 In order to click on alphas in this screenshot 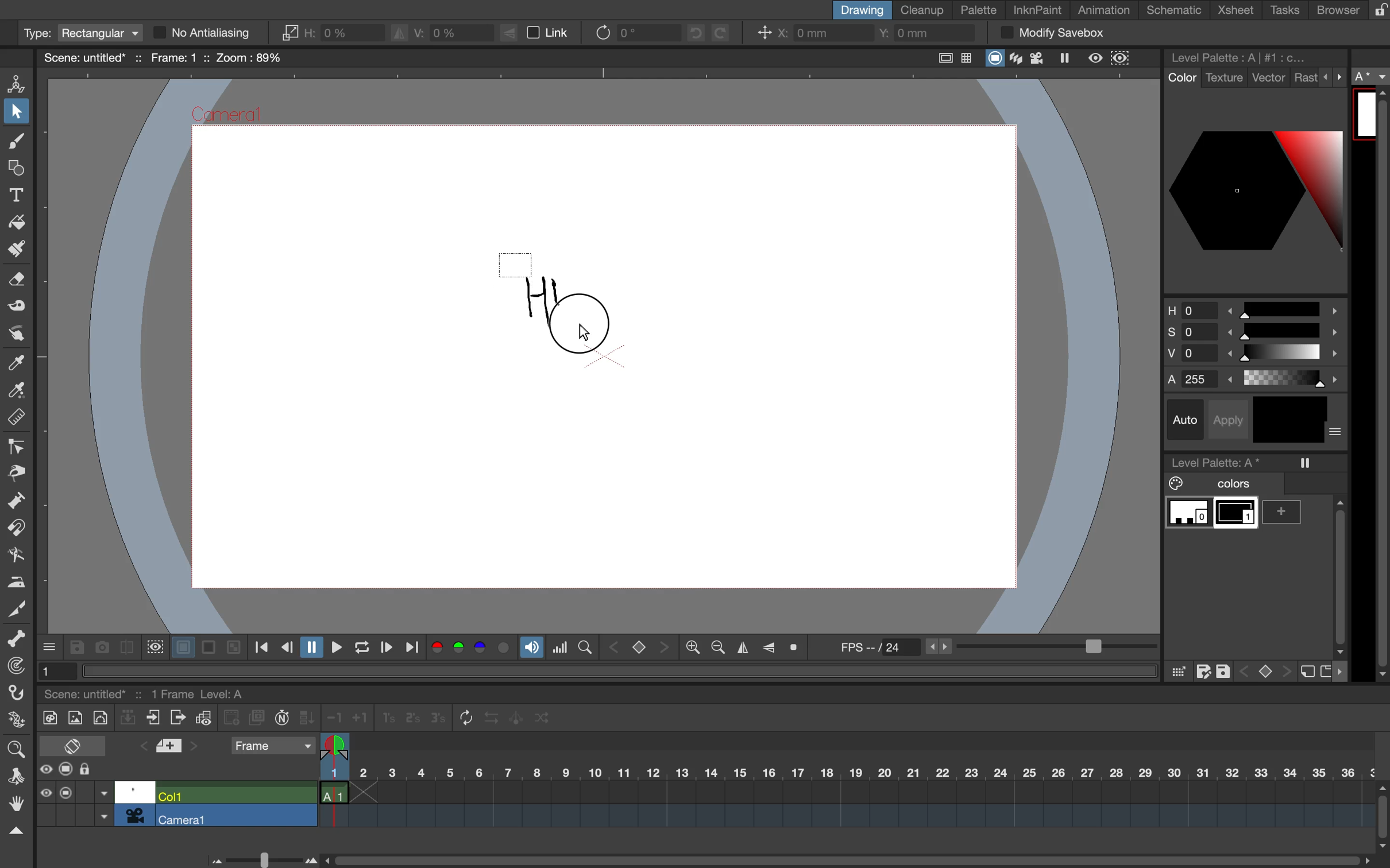, I will do `click(1257, 379)`.